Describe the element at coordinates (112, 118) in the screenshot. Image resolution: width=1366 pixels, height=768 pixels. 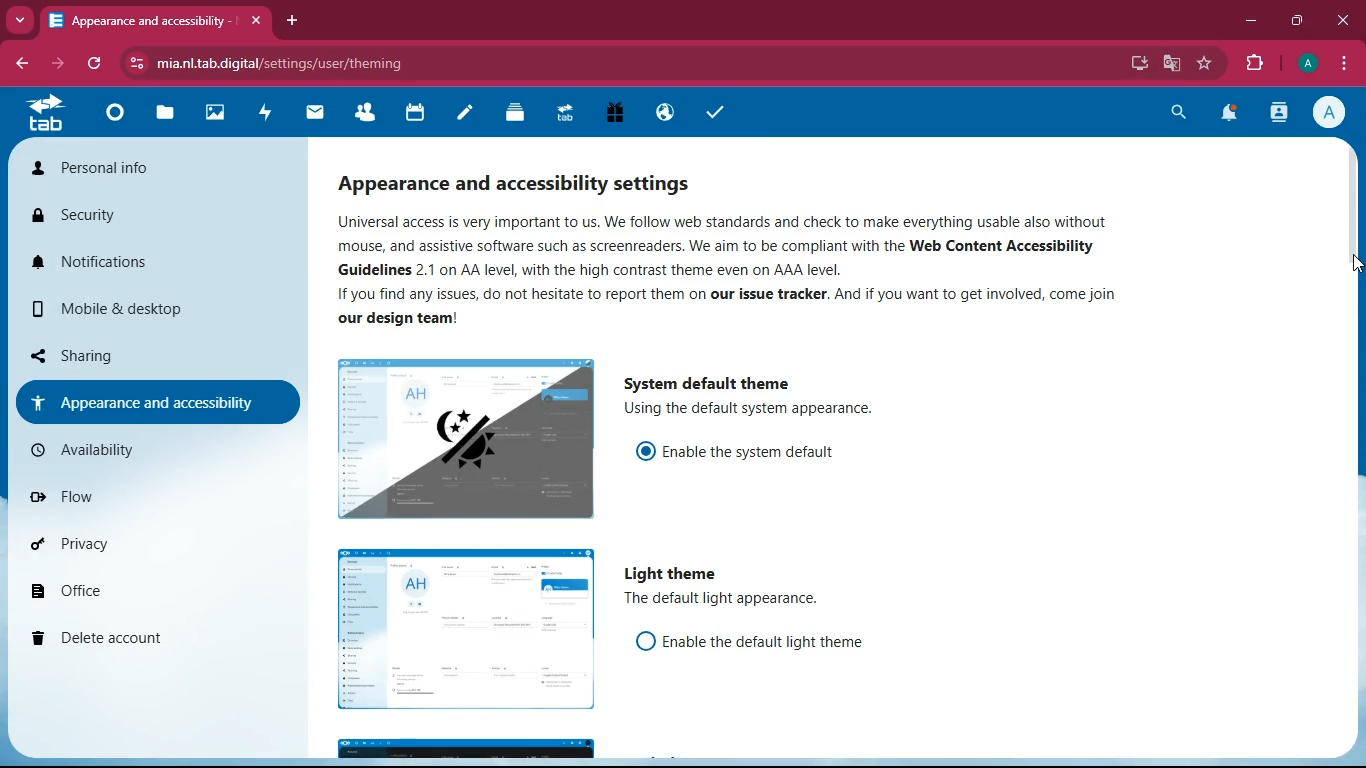
I see `home` at that location.